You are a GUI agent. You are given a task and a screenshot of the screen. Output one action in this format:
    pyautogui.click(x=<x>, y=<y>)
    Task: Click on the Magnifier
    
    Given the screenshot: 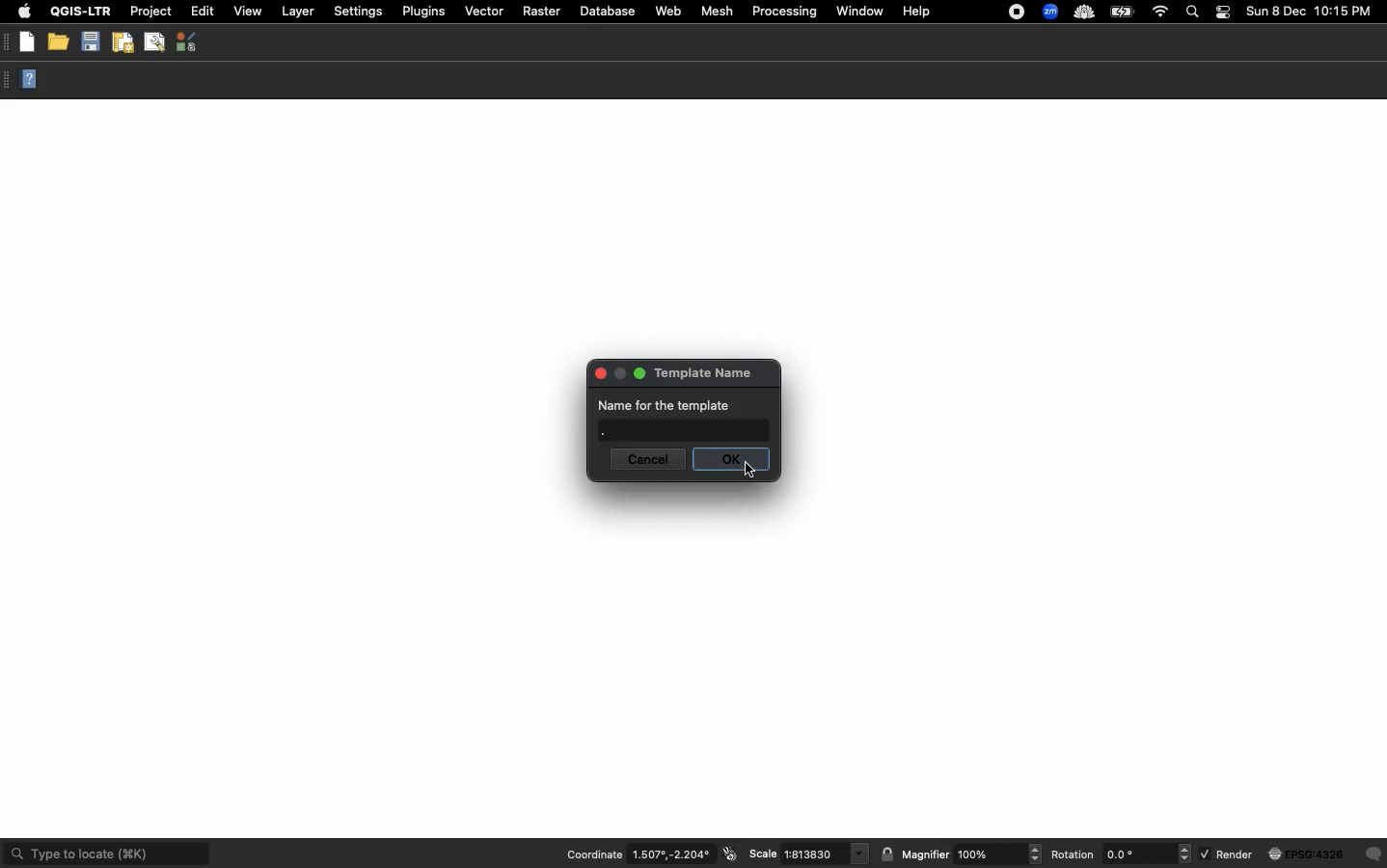 What is the action you would take?
    pyautogui.click(x=925, y=854)
    